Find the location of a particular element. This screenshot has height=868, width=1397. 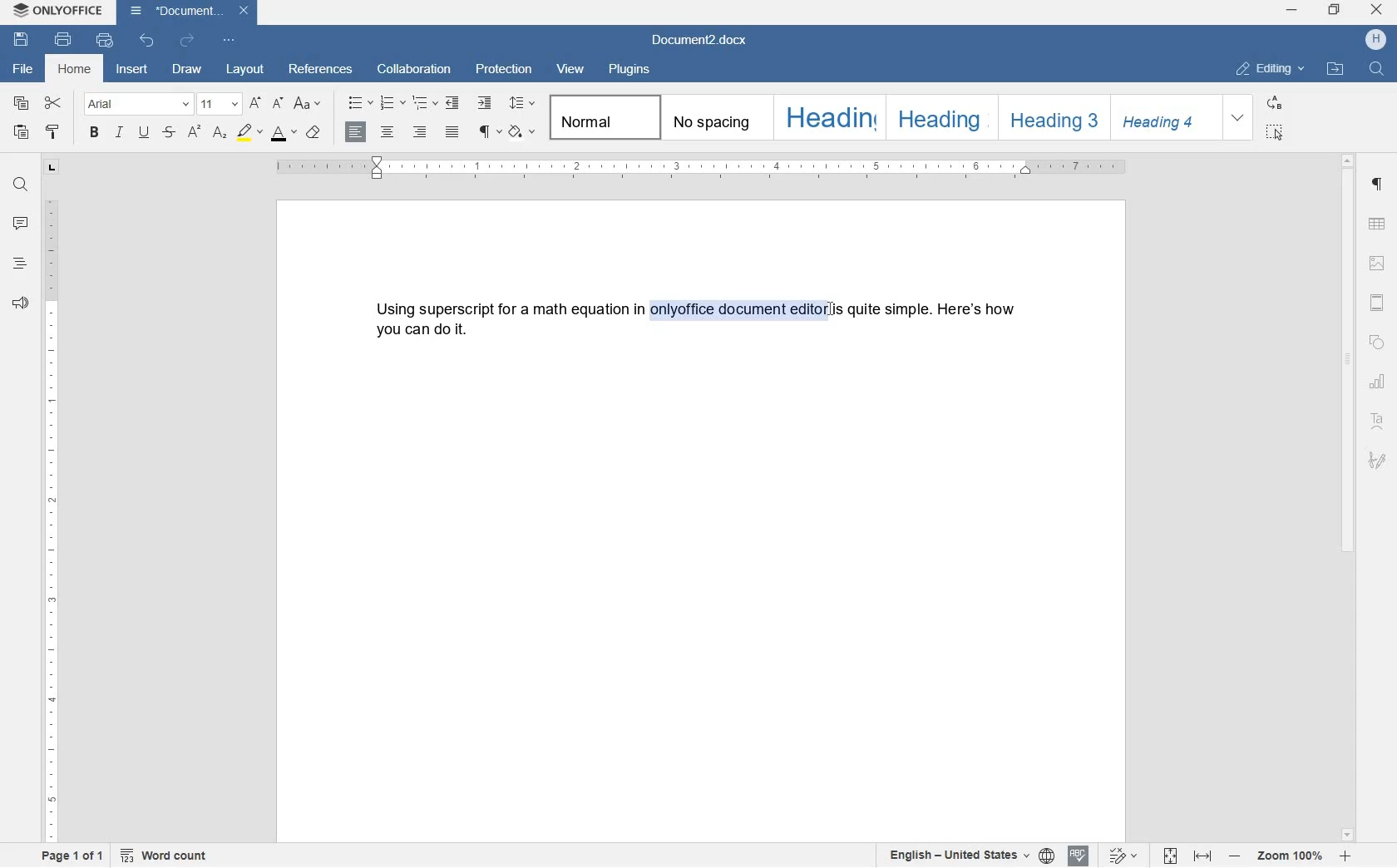

set text or document language is located at coordinates (971, 856).